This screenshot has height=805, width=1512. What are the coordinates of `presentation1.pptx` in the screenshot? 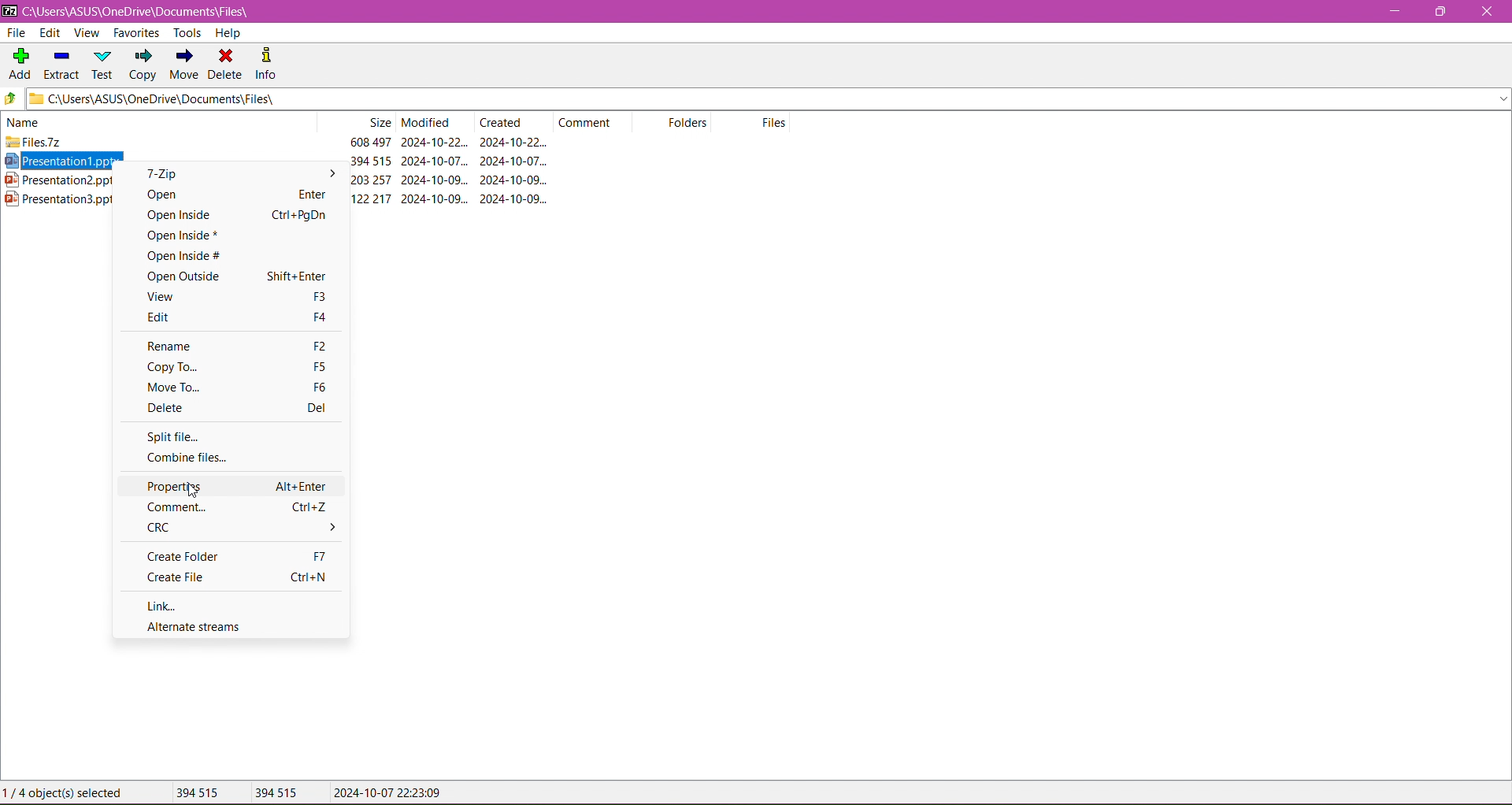 It's located at (56, 160).